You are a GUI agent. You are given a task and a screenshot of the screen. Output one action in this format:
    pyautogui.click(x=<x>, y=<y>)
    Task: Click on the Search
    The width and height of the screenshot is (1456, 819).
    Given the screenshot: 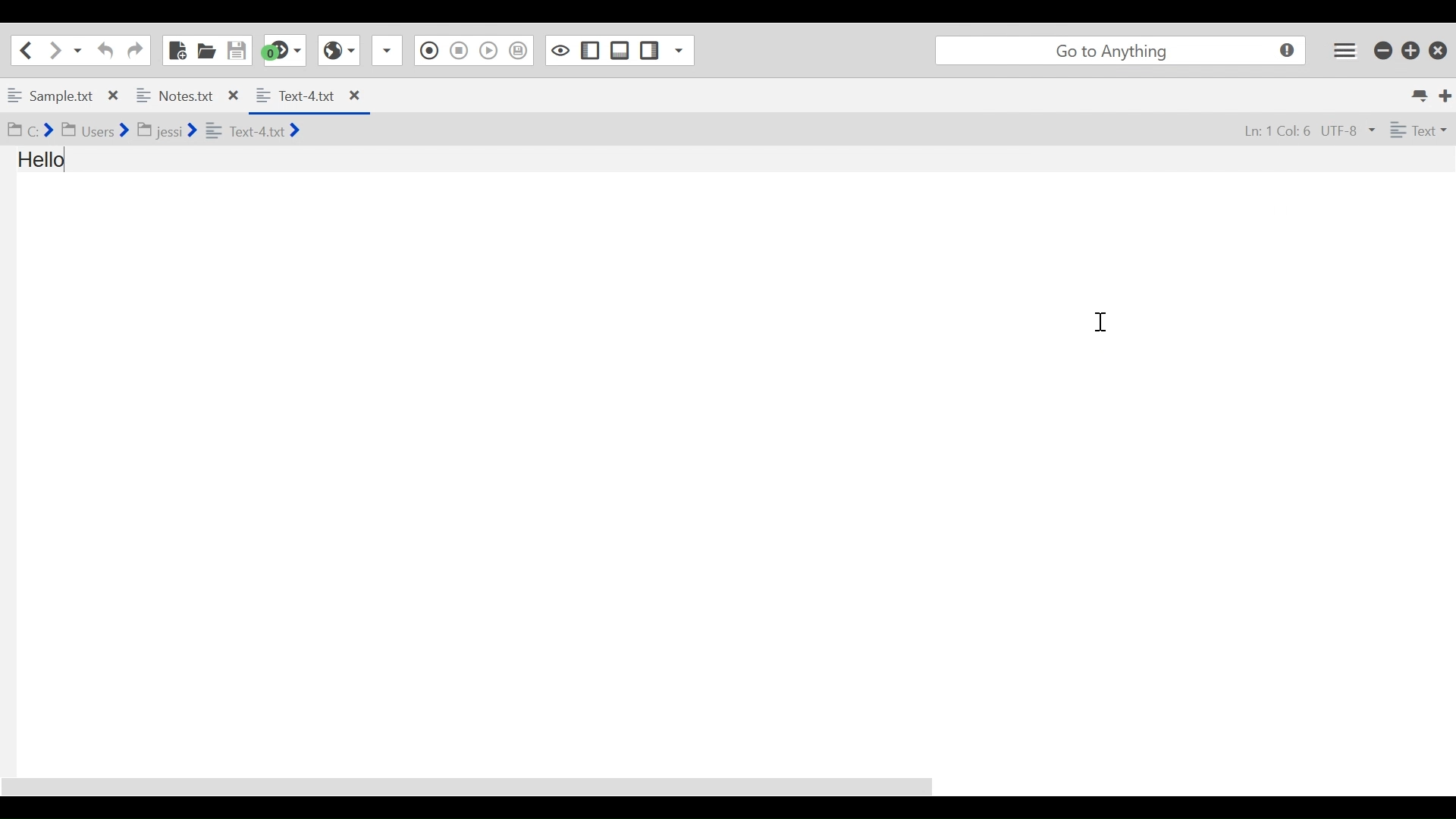 What is the action you would take?
    pyautogui.click(x=1122, y=51)
    